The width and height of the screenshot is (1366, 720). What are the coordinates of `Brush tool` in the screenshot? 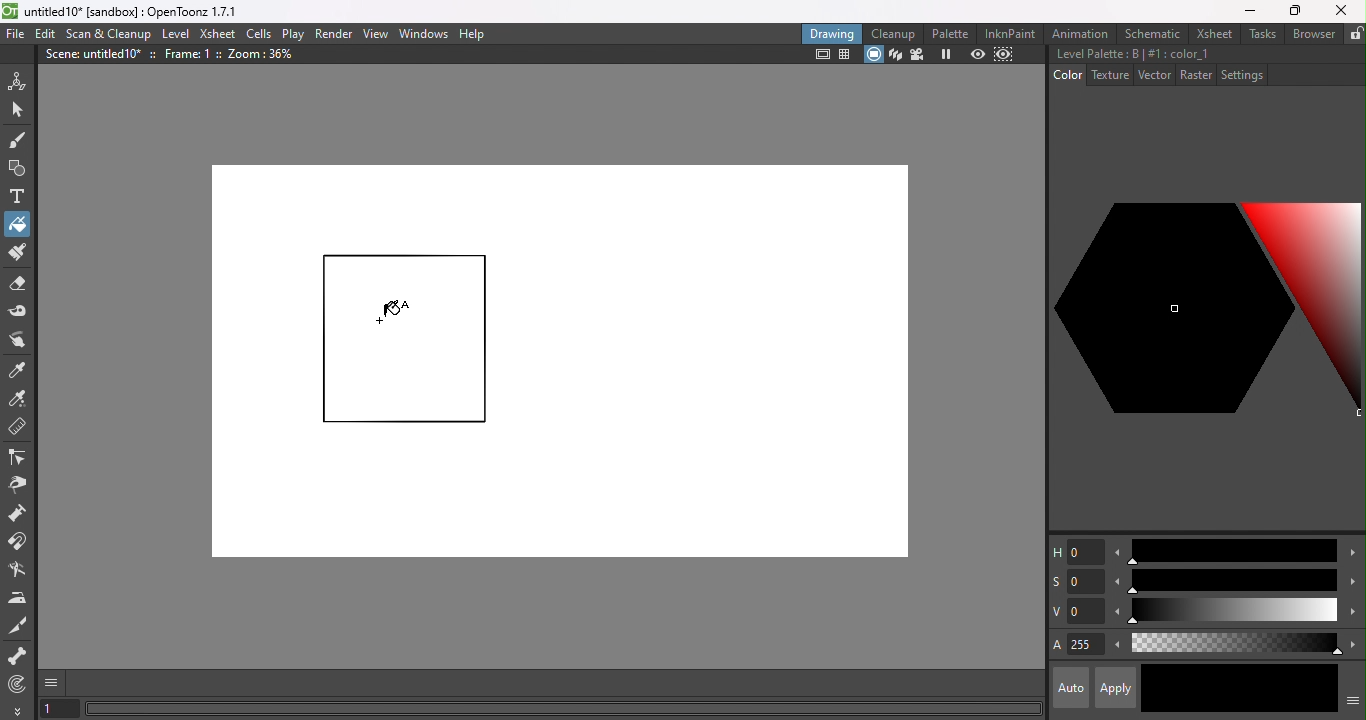 It's located at (22, 139).